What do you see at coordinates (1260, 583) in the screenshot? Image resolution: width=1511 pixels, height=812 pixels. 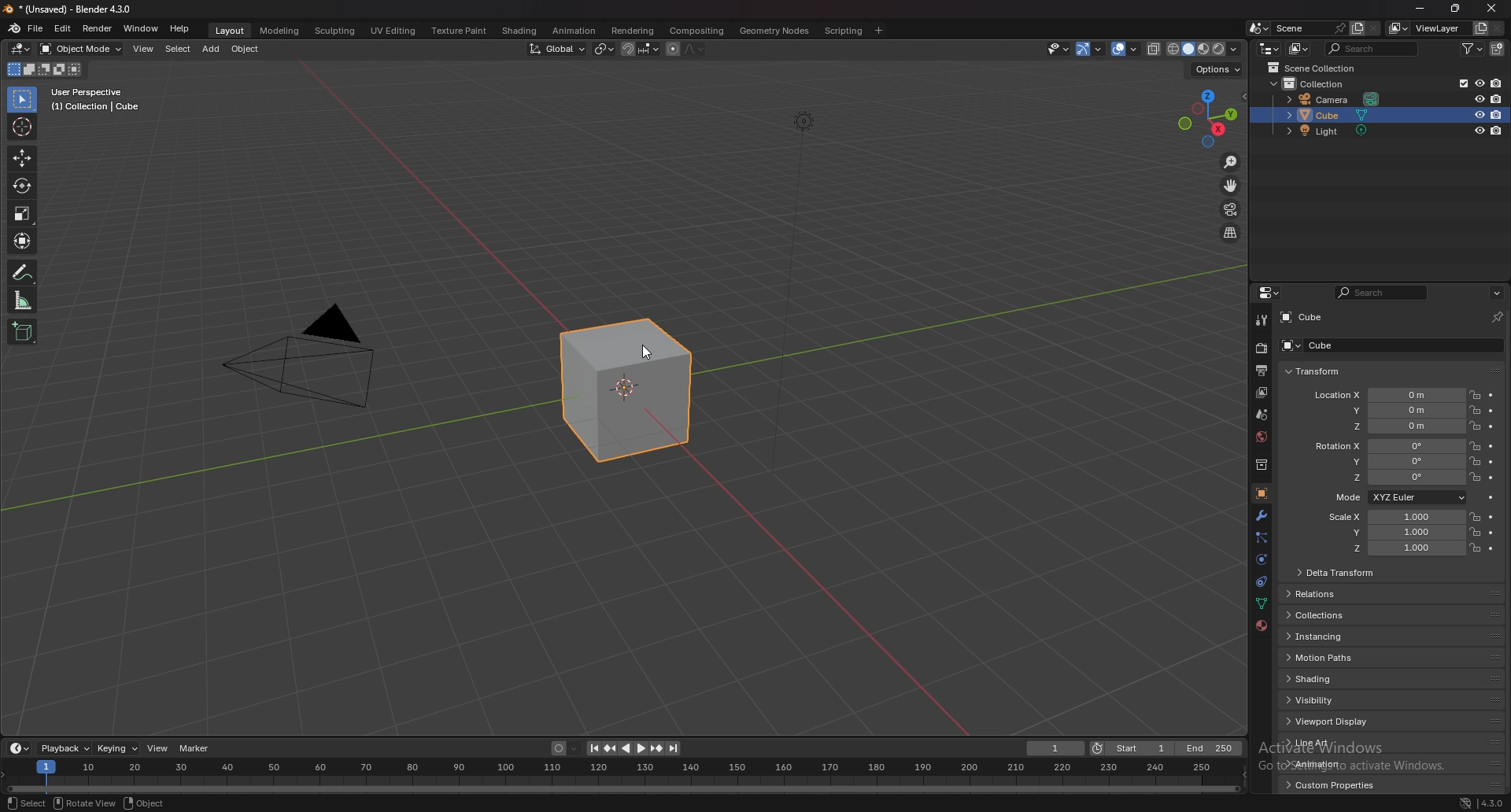 I see `physics` at bounding box center [1260, 583].